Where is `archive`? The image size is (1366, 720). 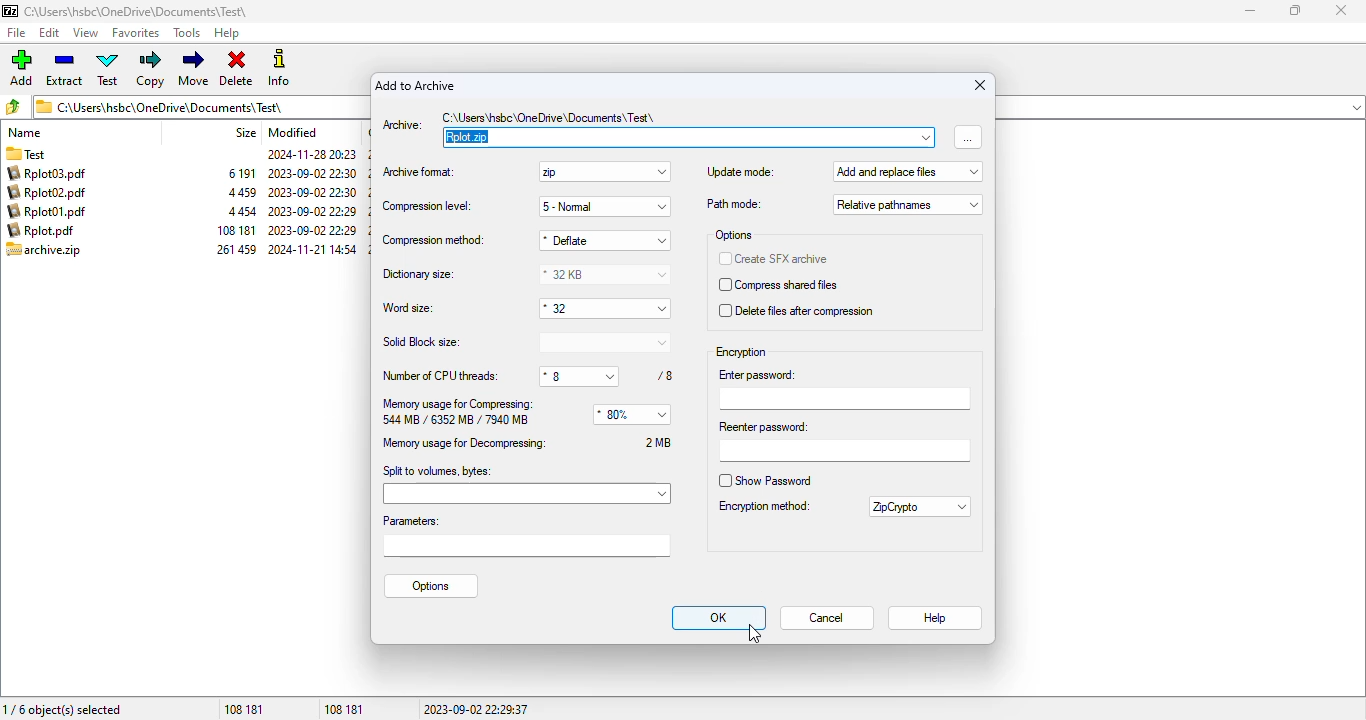 archive is located at coordinates (44, 250).